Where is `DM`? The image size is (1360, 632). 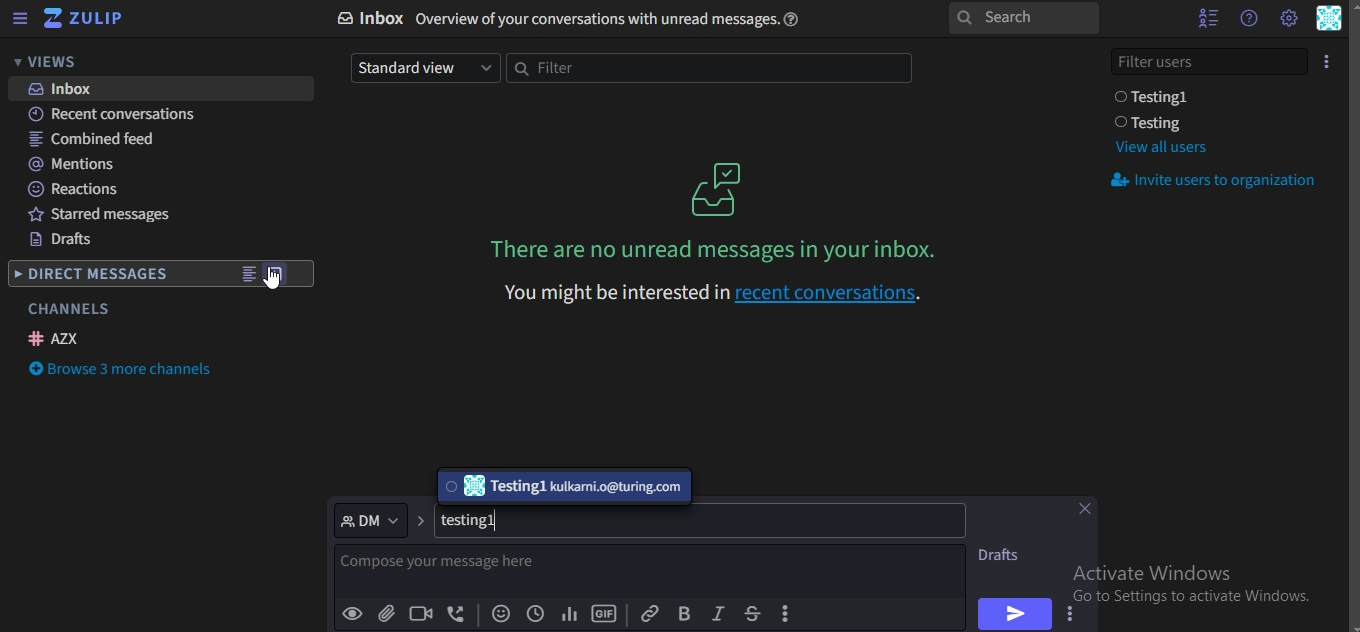 DM is located at coordinates (371, 519).